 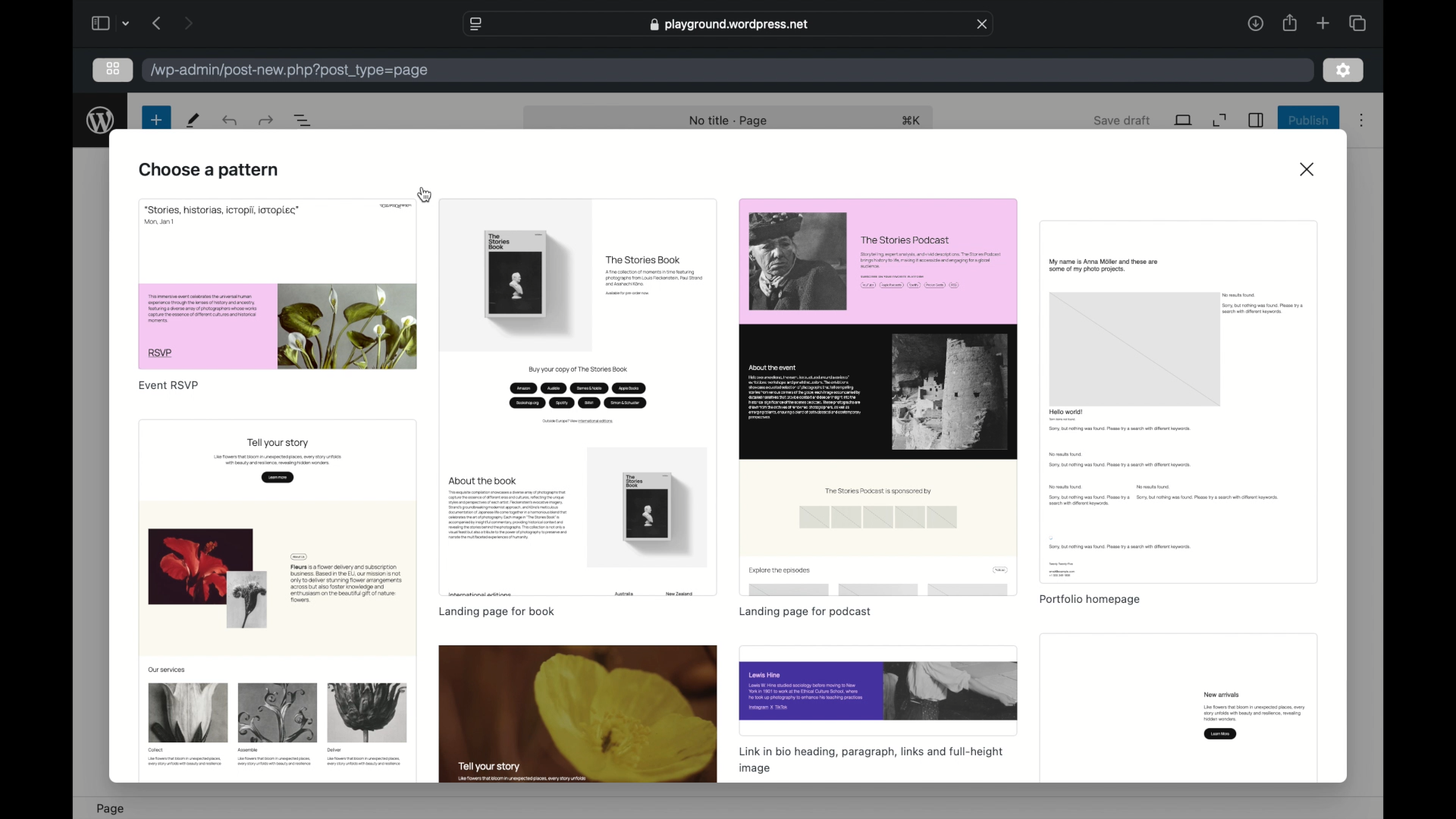 I want to click on publish, so click(x=1307, y=120).